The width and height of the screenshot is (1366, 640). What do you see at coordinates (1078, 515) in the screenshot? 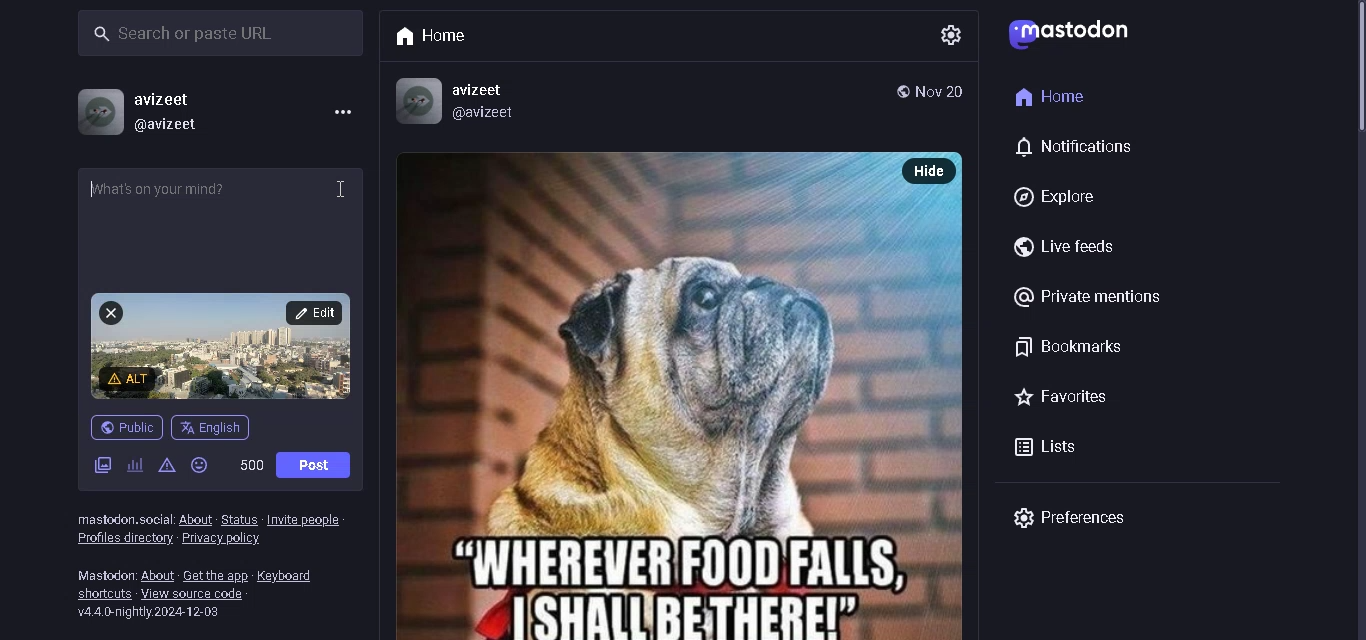
I see `preferences` at bounding box center [1078, 515].